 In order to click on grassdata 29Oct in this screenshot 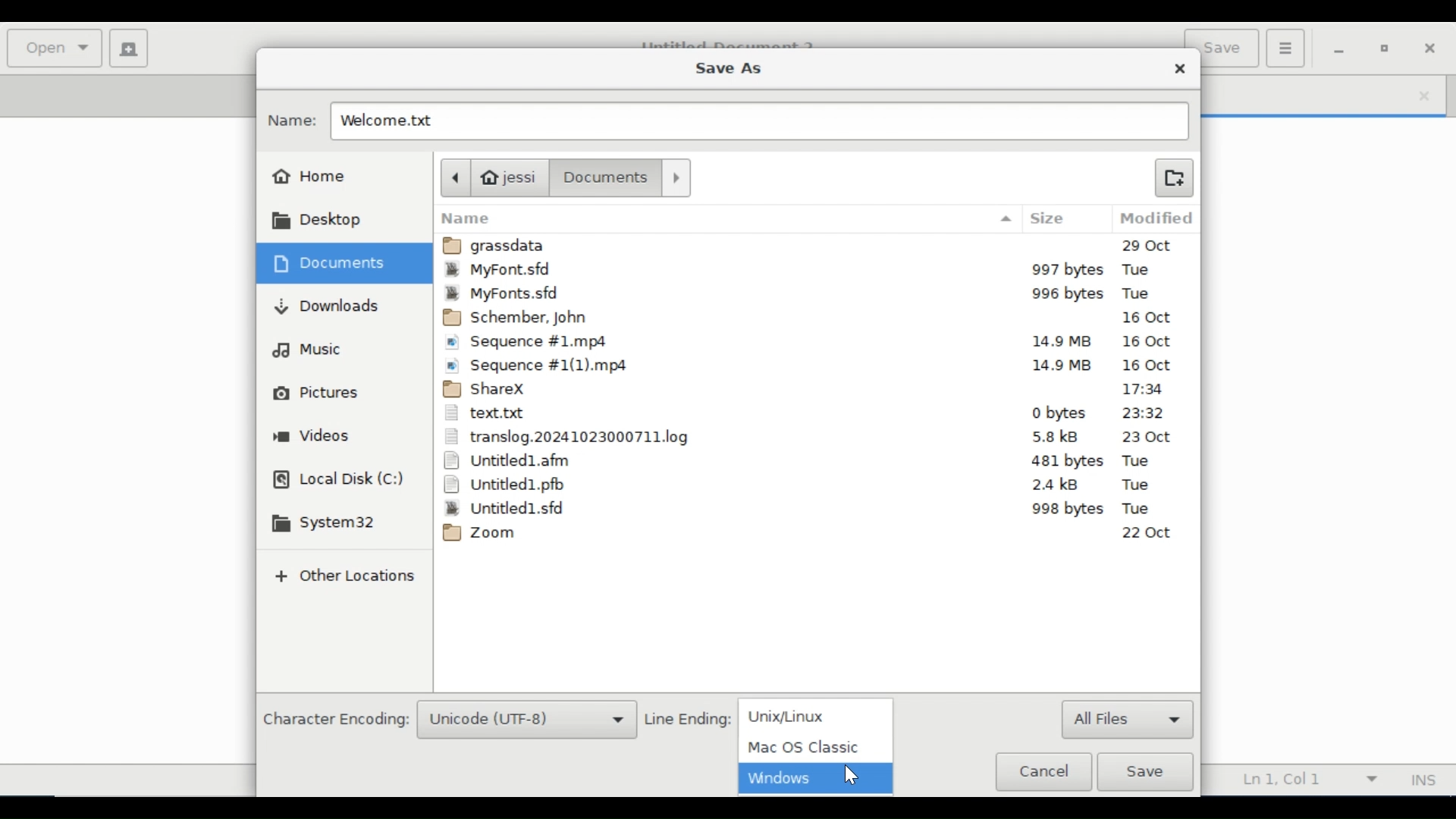, I will do `click(817, 246)`.